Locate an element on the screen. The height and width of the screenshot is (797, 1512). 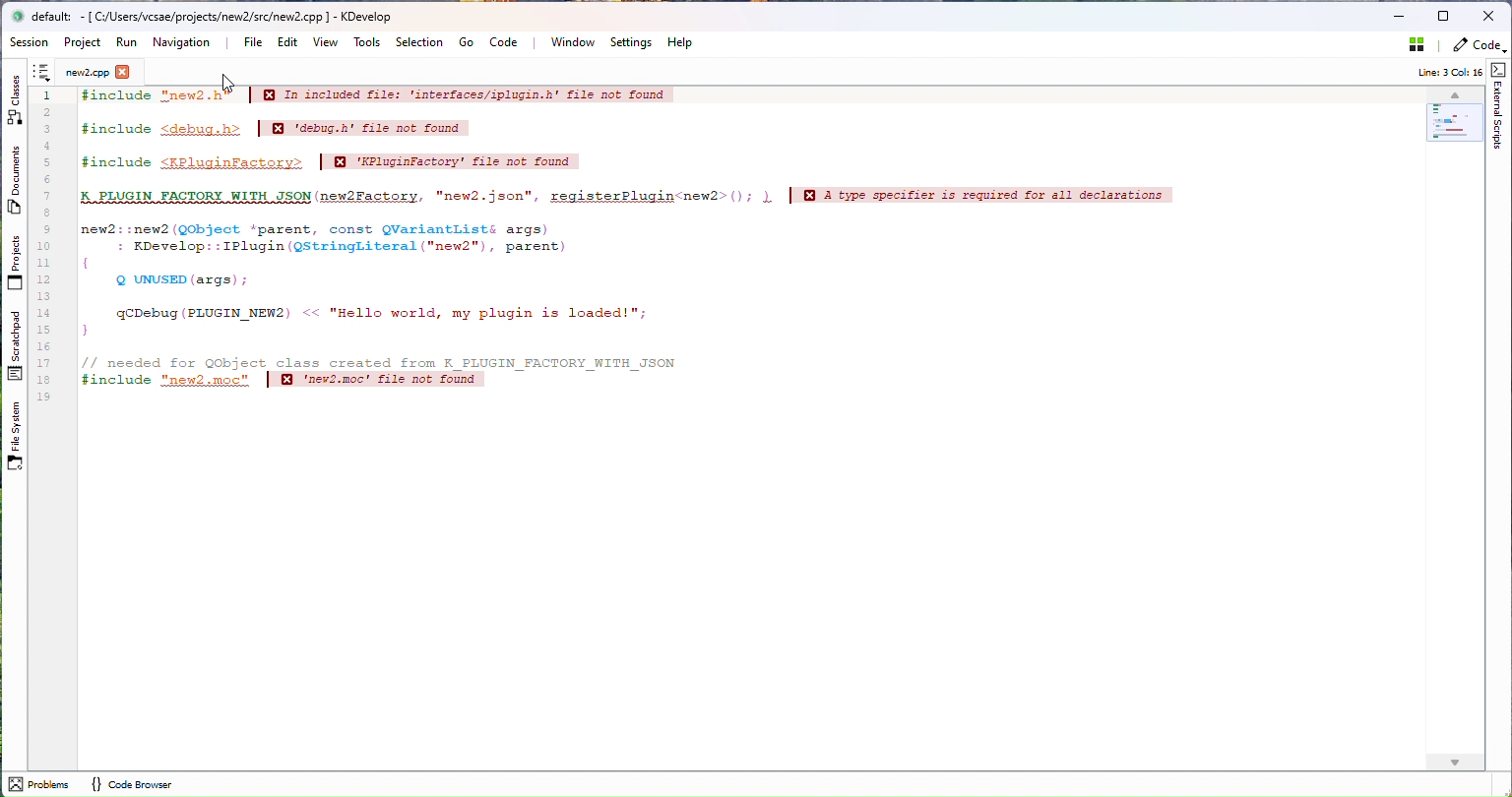
Tools is located at coordinates (372, 43).